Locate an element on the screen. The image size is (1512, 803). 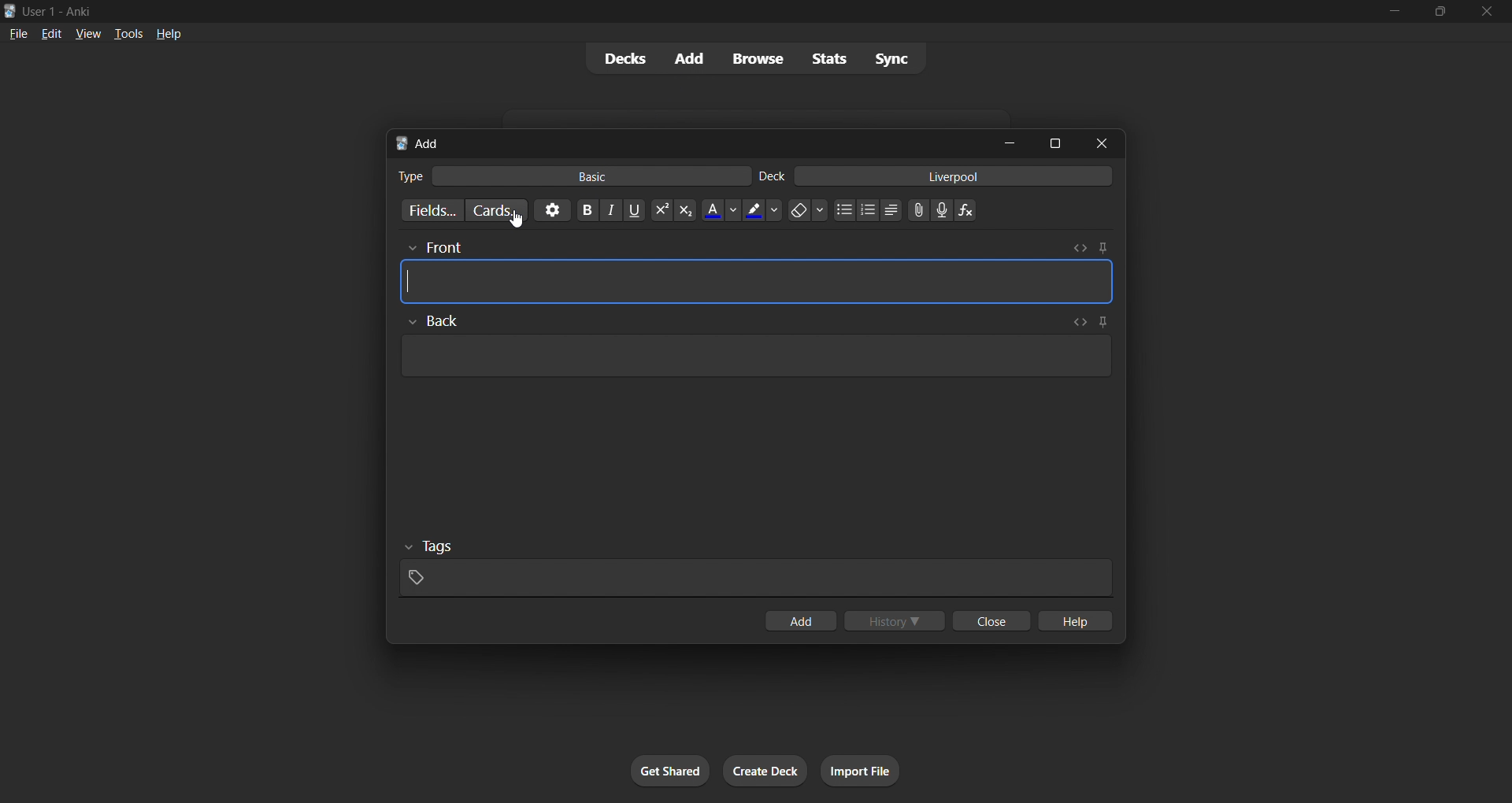
 create deck is located at coordinates (765, 770).